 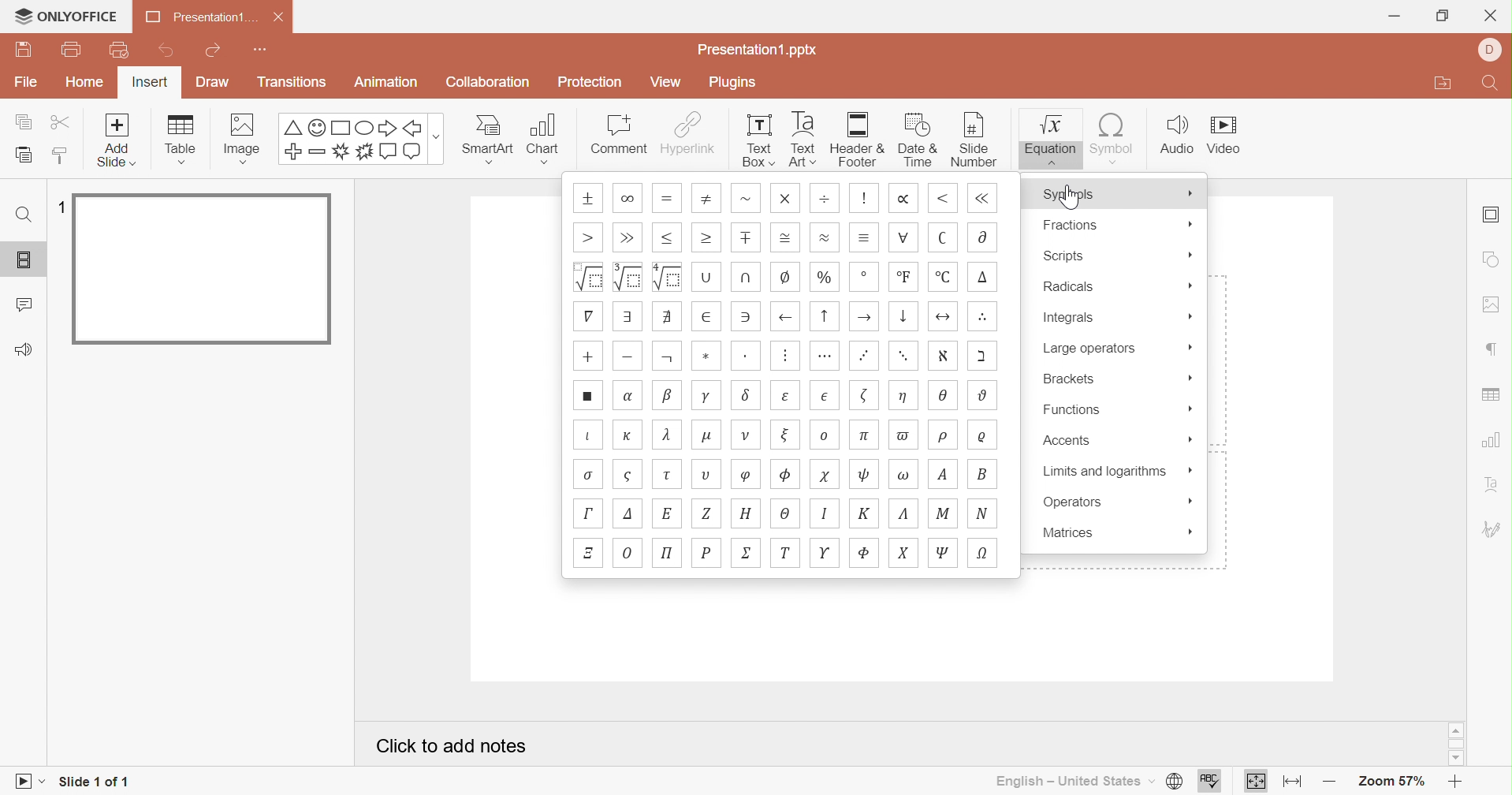 I want to click on Text Box, so click(x=759, y=141).